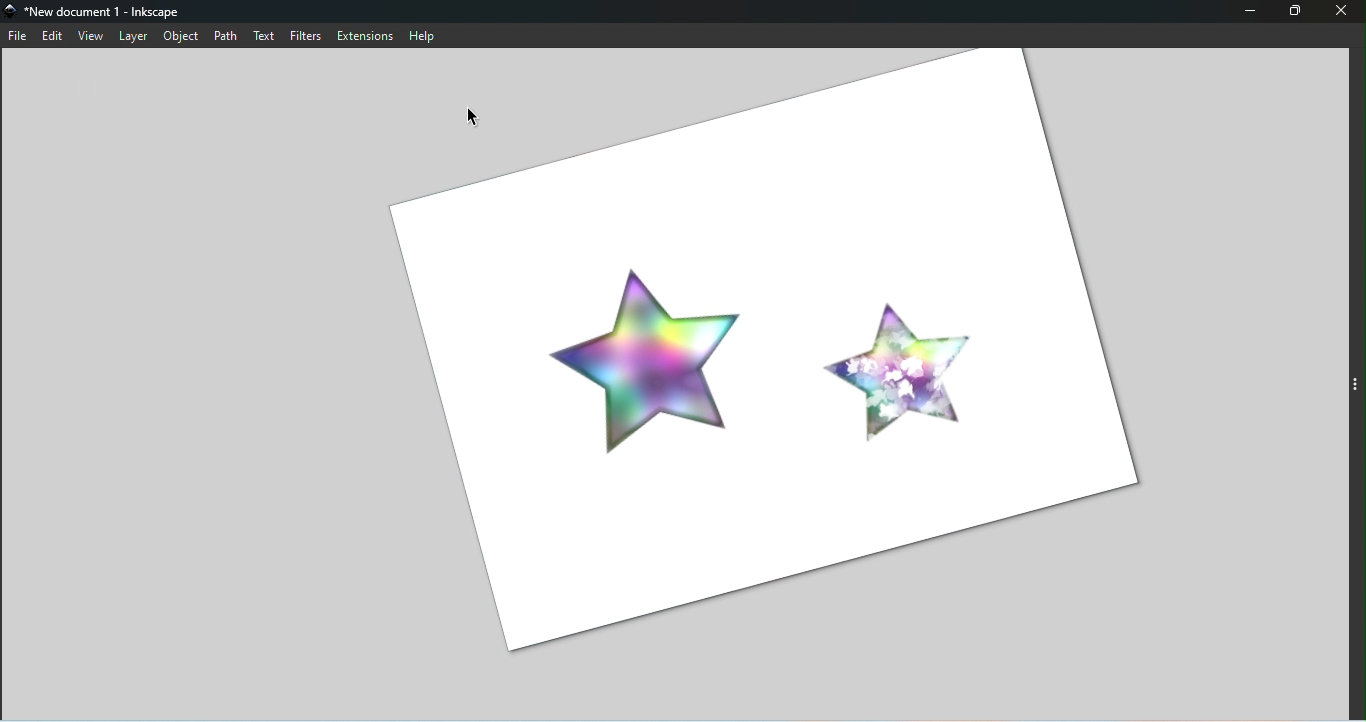 The image size is (1366, 722). Describe the element at coordinates (1343, 13) in the screenshot. I see `Close` at that location.